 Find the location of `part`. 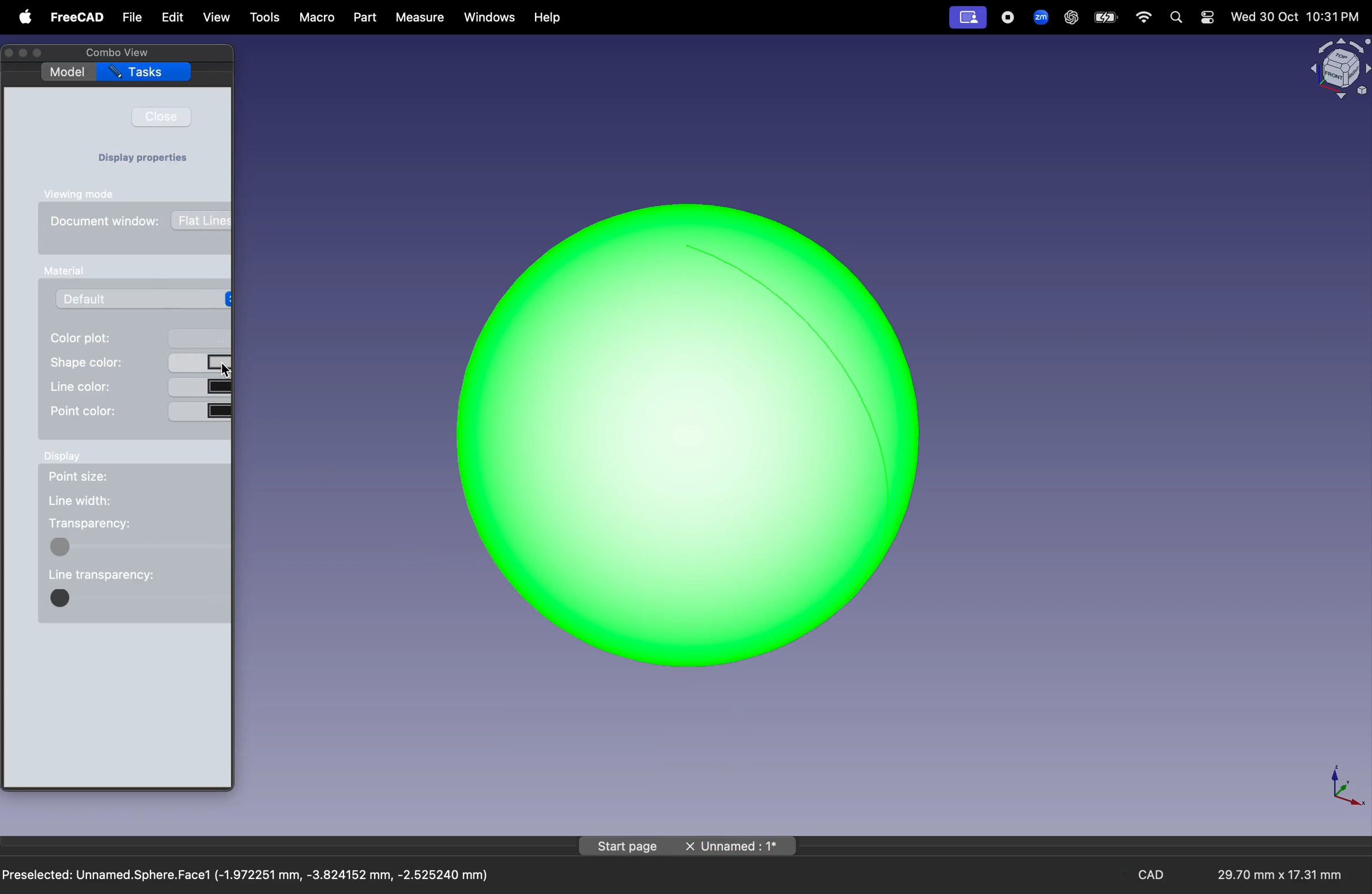

part is located at coordinates (364, 17).